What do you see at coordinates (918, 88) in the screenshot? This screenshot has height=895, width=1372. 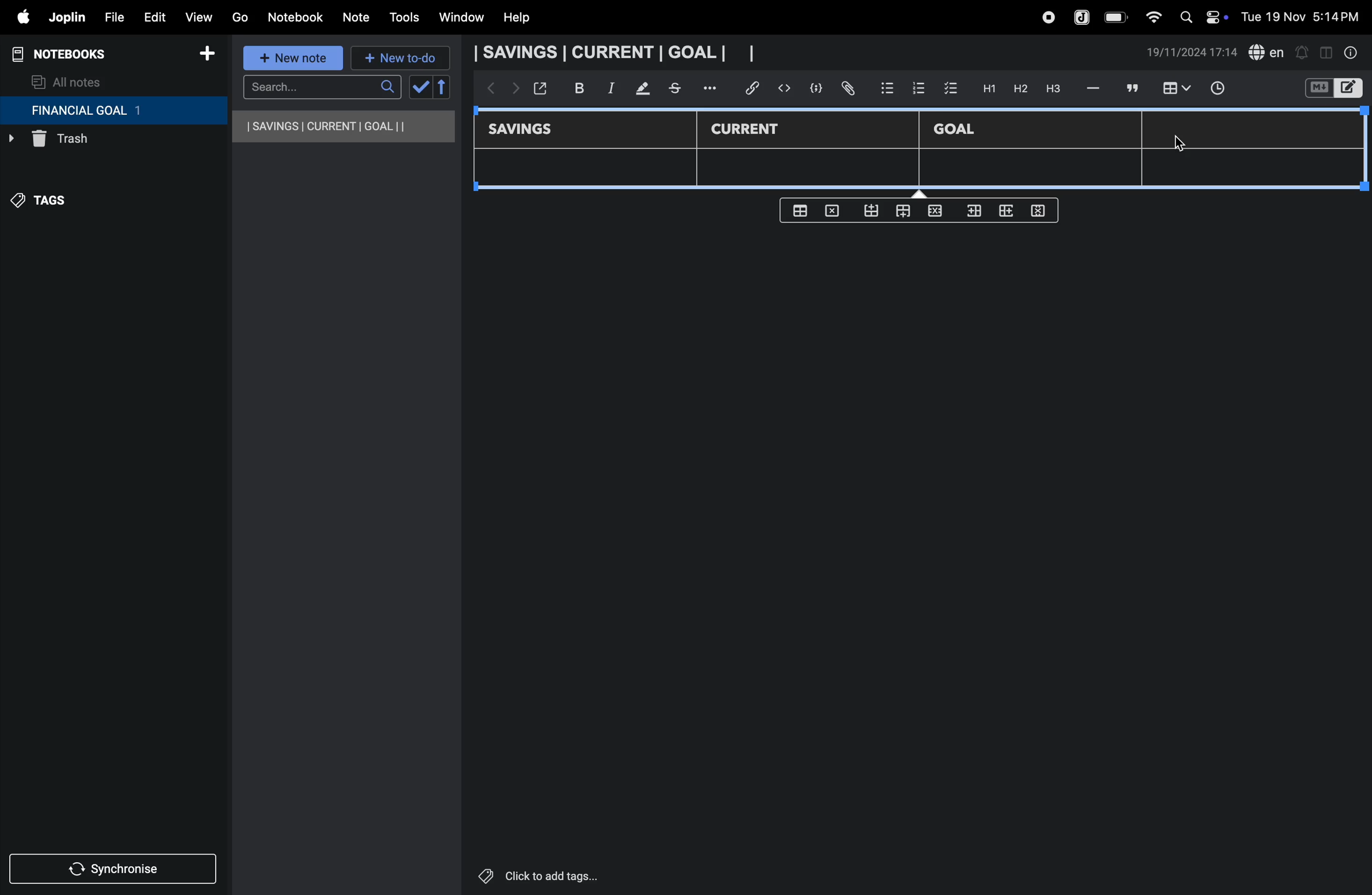 I see `numbered list` at bounding box center [918, 88].